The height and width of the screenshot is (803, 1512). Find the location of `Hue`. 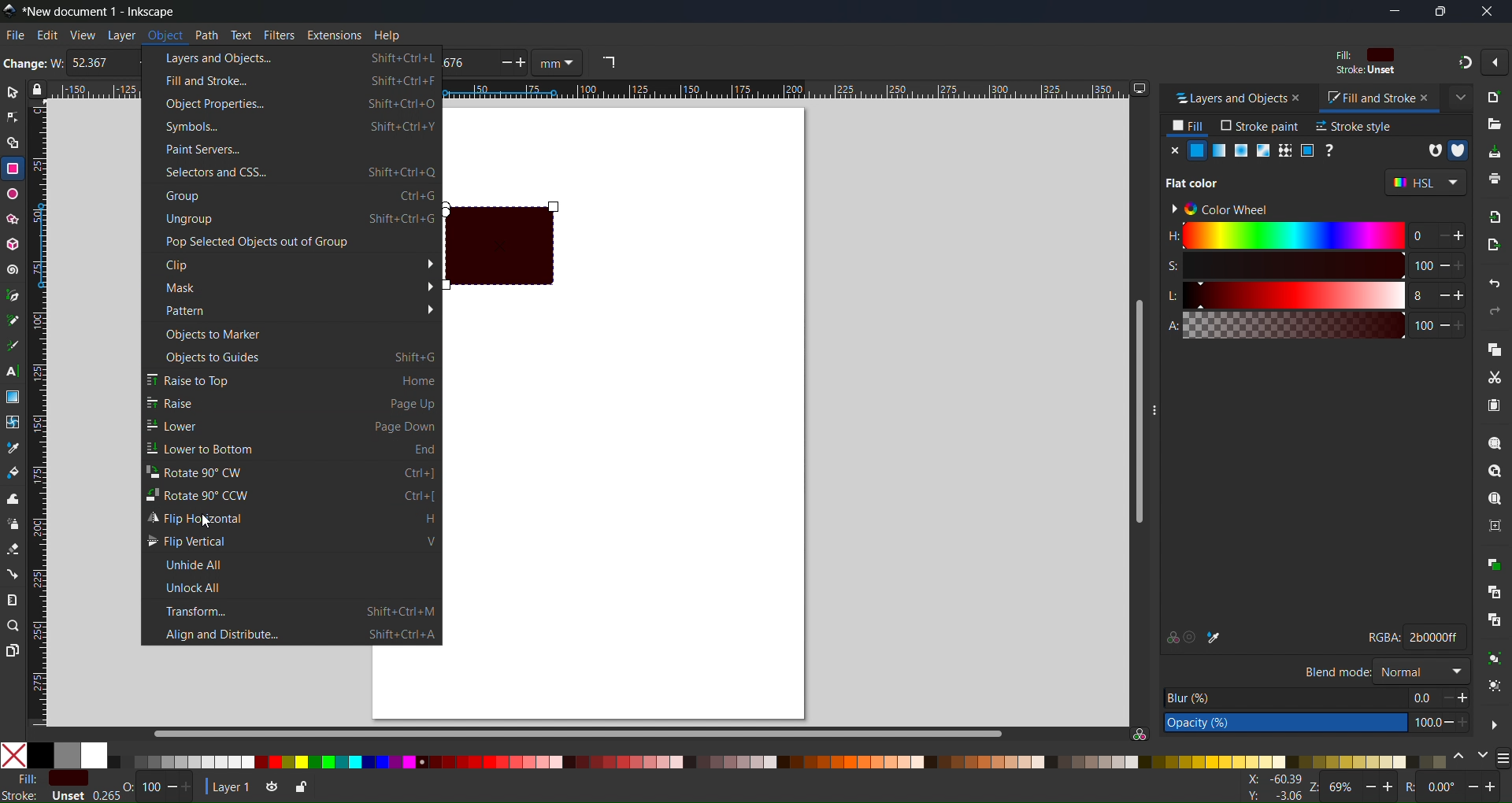

Hue is located at coordinates (1283, 235).